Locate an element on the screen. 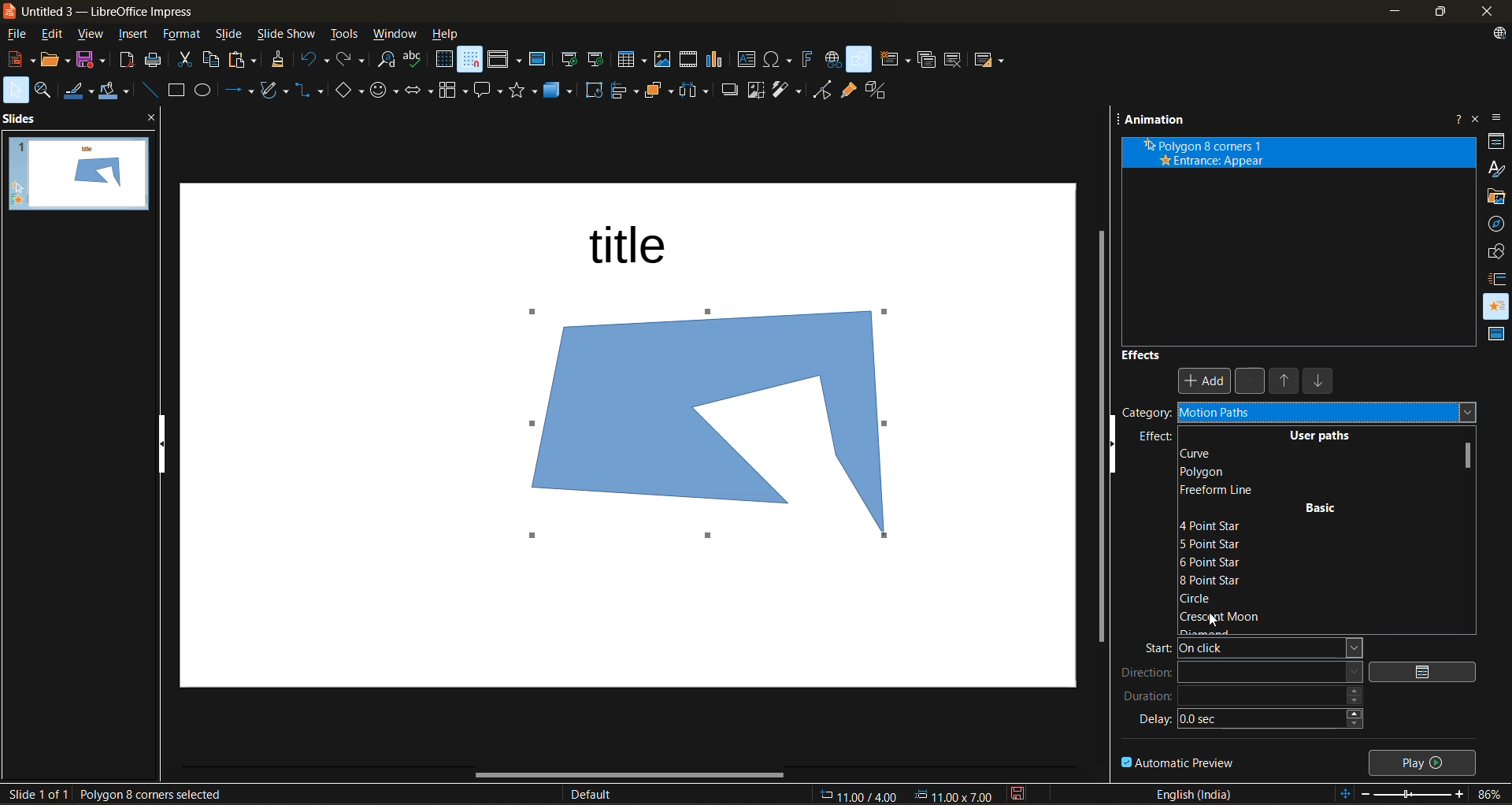  toggle extrusion is located at coordinates (876, 91).